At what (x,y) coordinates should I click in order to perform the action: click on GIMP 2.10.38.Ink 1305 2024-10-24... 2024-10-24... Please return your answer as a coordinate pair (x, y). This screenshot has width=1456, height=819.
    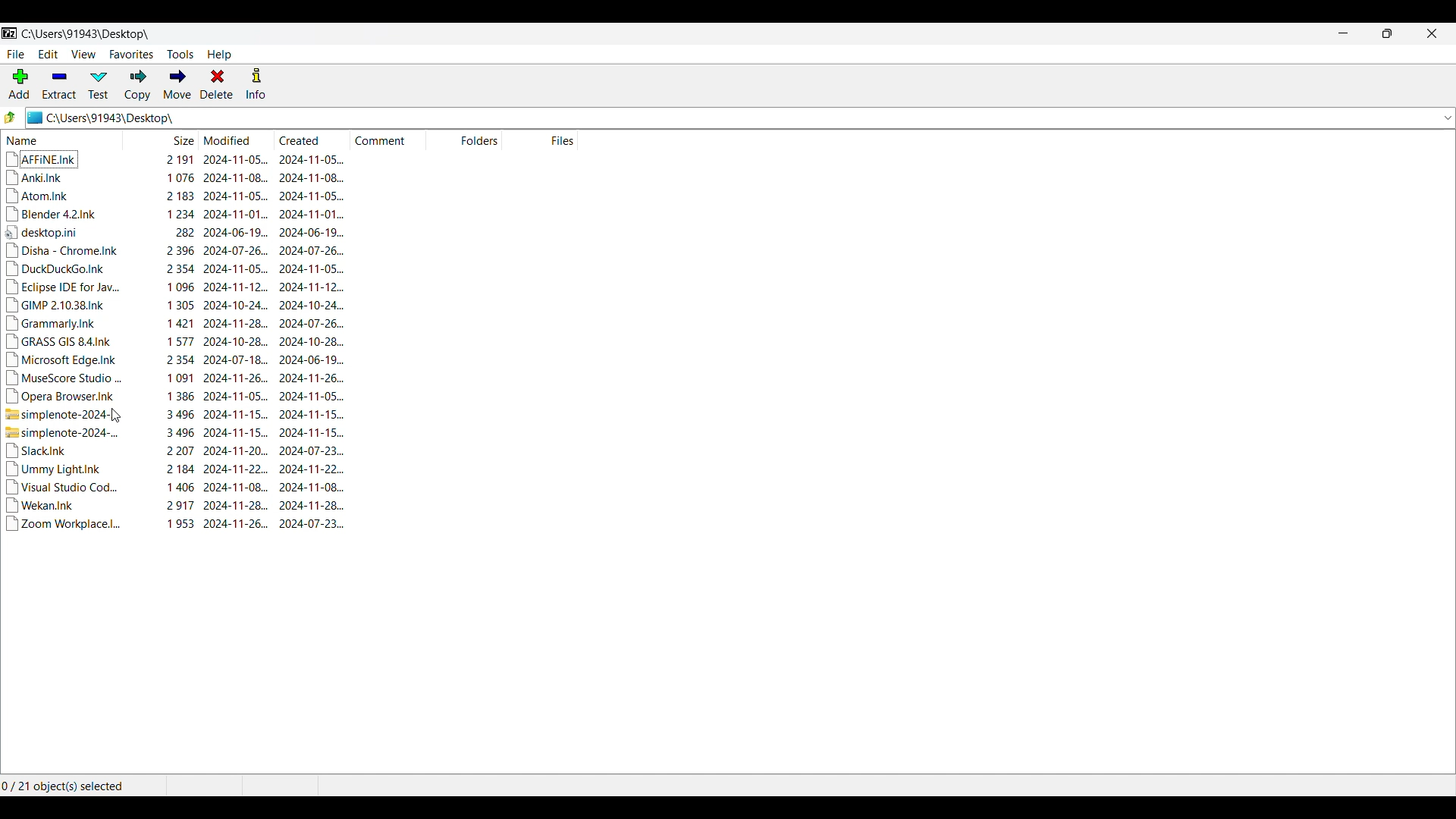
    Looking at the image, I should click on (177, 306).